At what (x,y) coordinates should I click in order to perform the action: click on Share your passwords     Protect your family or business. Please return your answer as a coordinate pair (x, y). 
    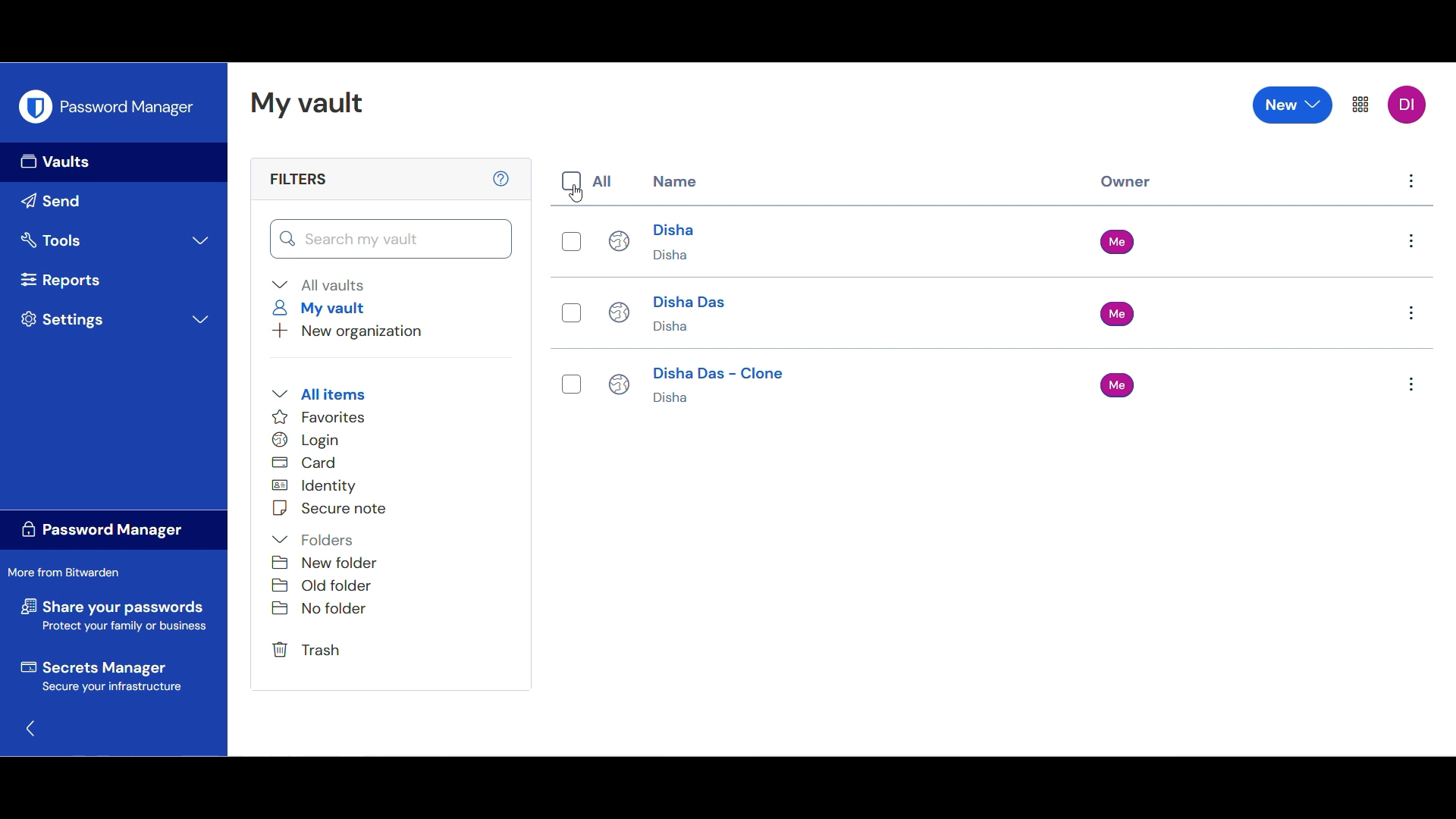
    Looking at the image, I should click on (114, 617).